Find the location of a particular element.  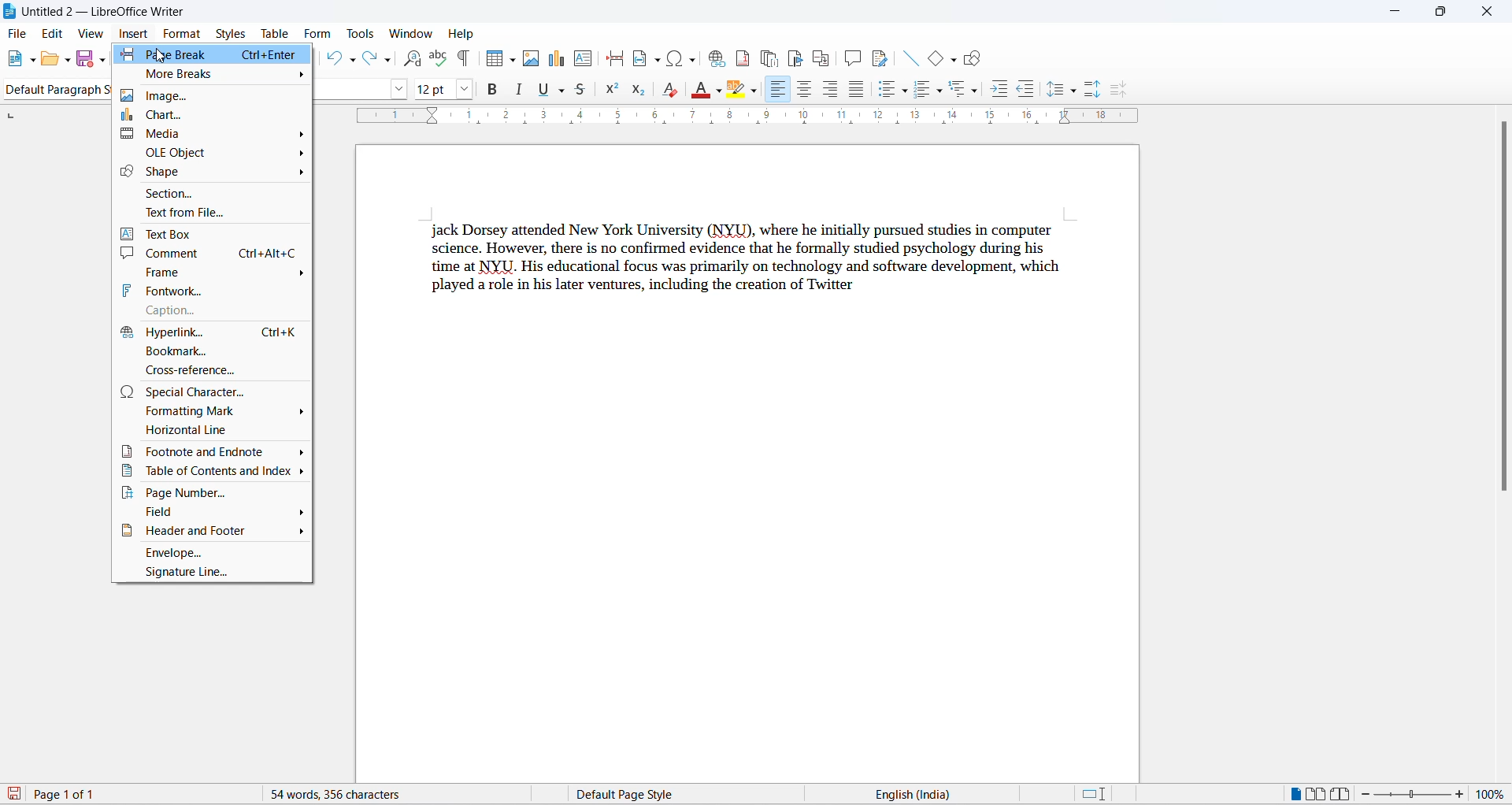

bold is located at coordinates (491, 91).